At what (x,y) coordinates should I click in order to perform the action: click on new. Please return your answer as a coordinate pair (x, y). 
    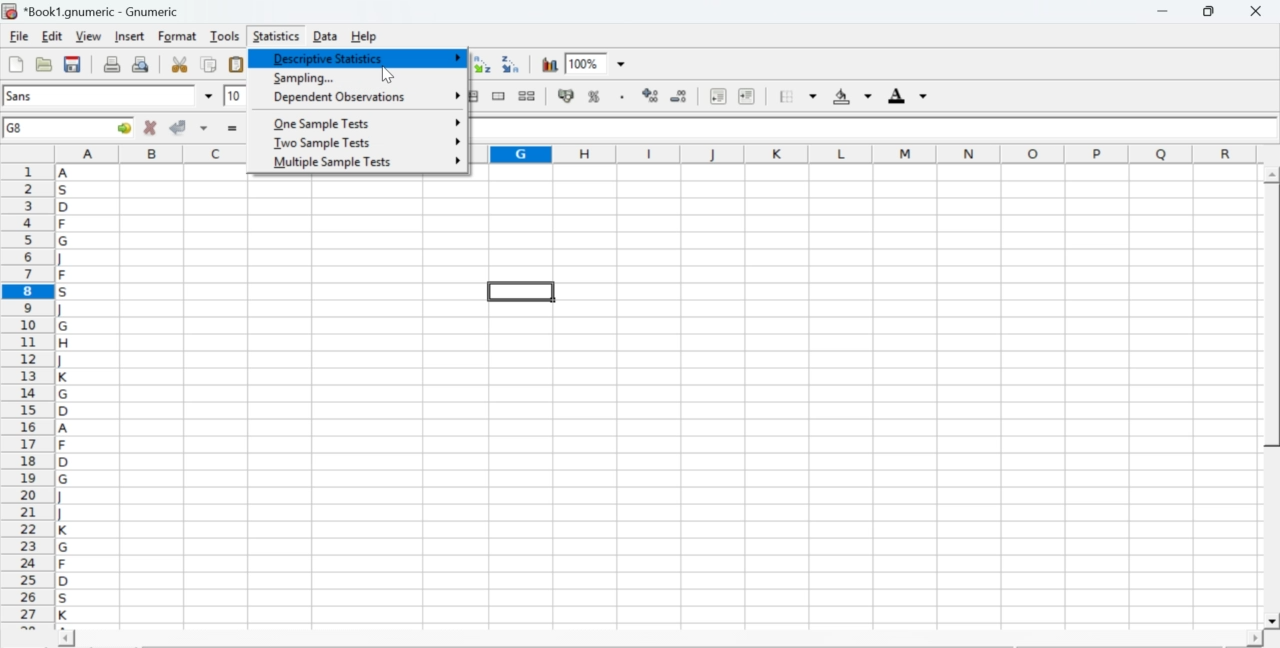
    Looking at the image, I should click on (15, 64).